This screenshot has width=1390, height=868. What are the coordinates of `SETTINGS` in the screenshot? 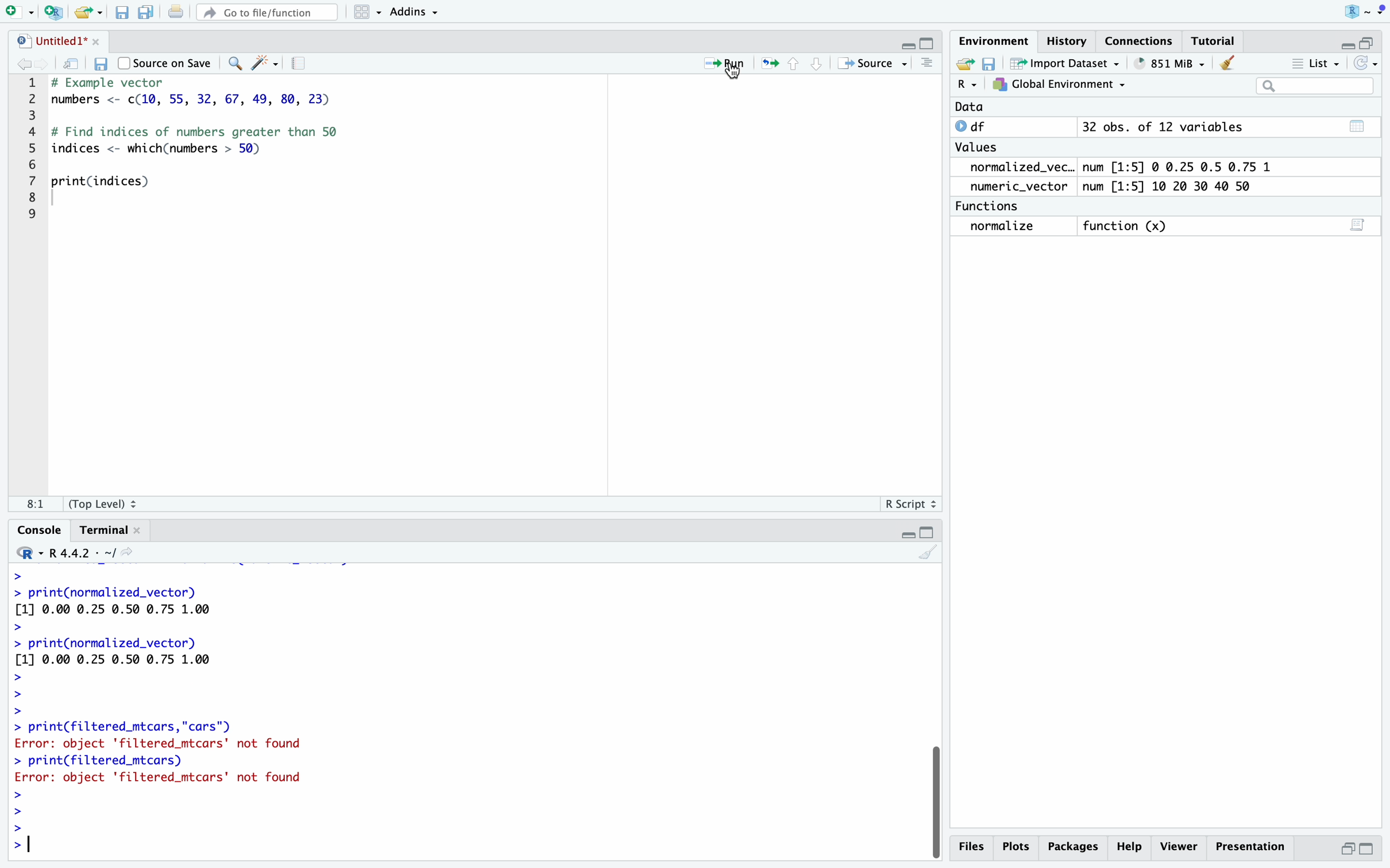 It's located at (302, 64).